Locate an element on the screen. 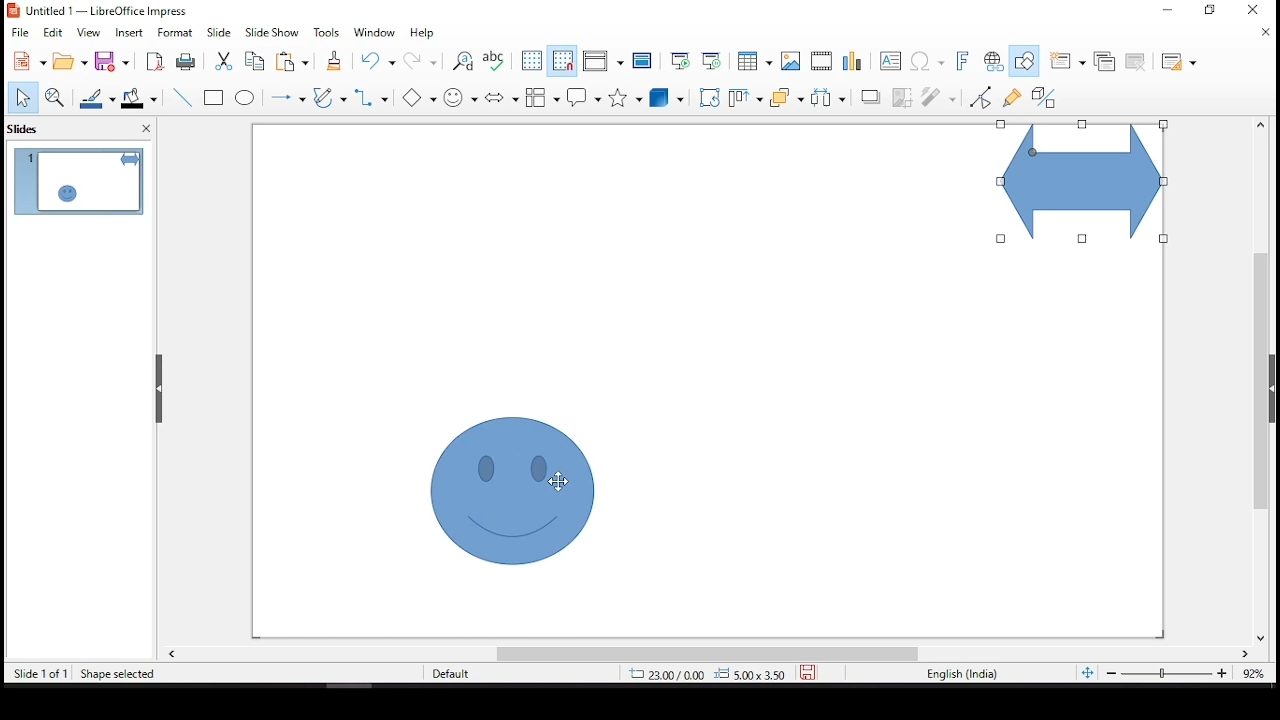 This screenshot has width=1280, height=720. stars and banners is located at coordinates (622, 97).